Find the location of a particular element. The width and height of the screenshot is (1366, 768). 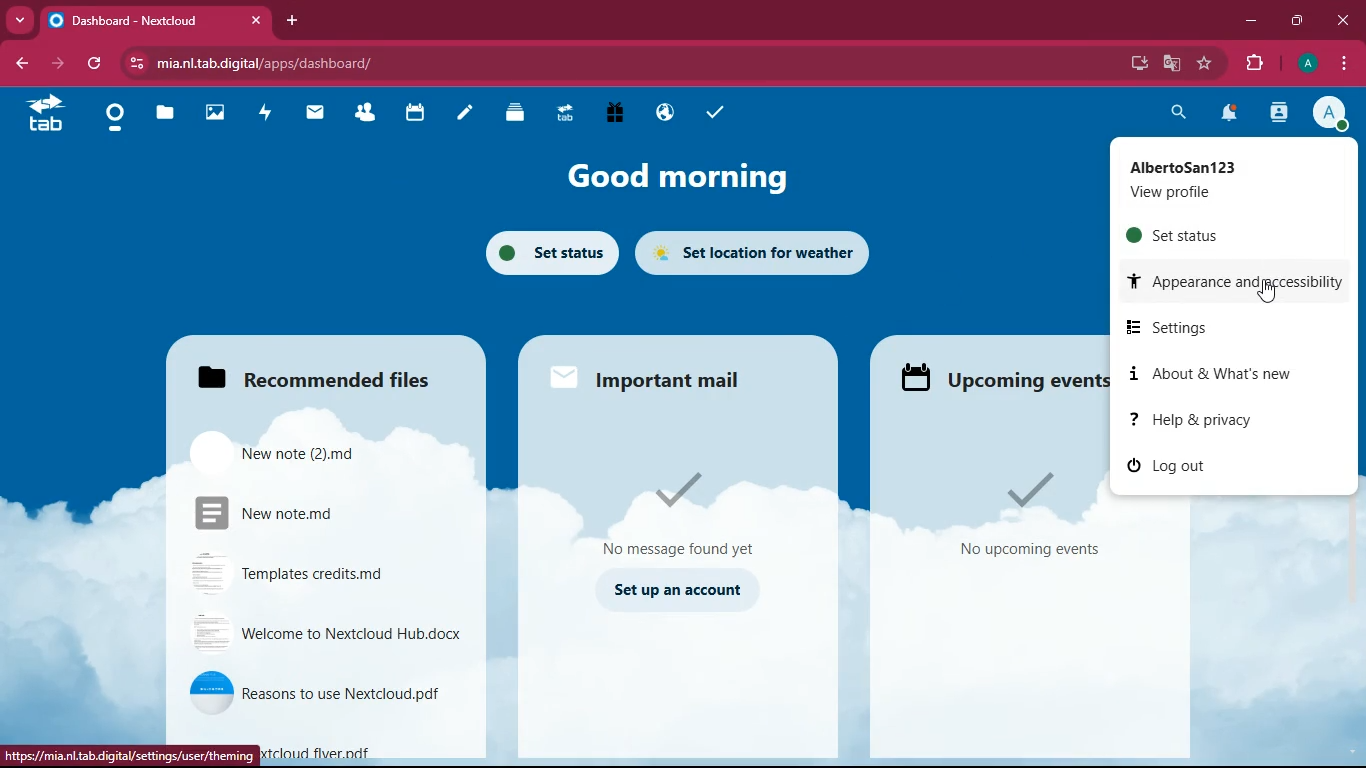

search is located at coordinates (1173, 114).